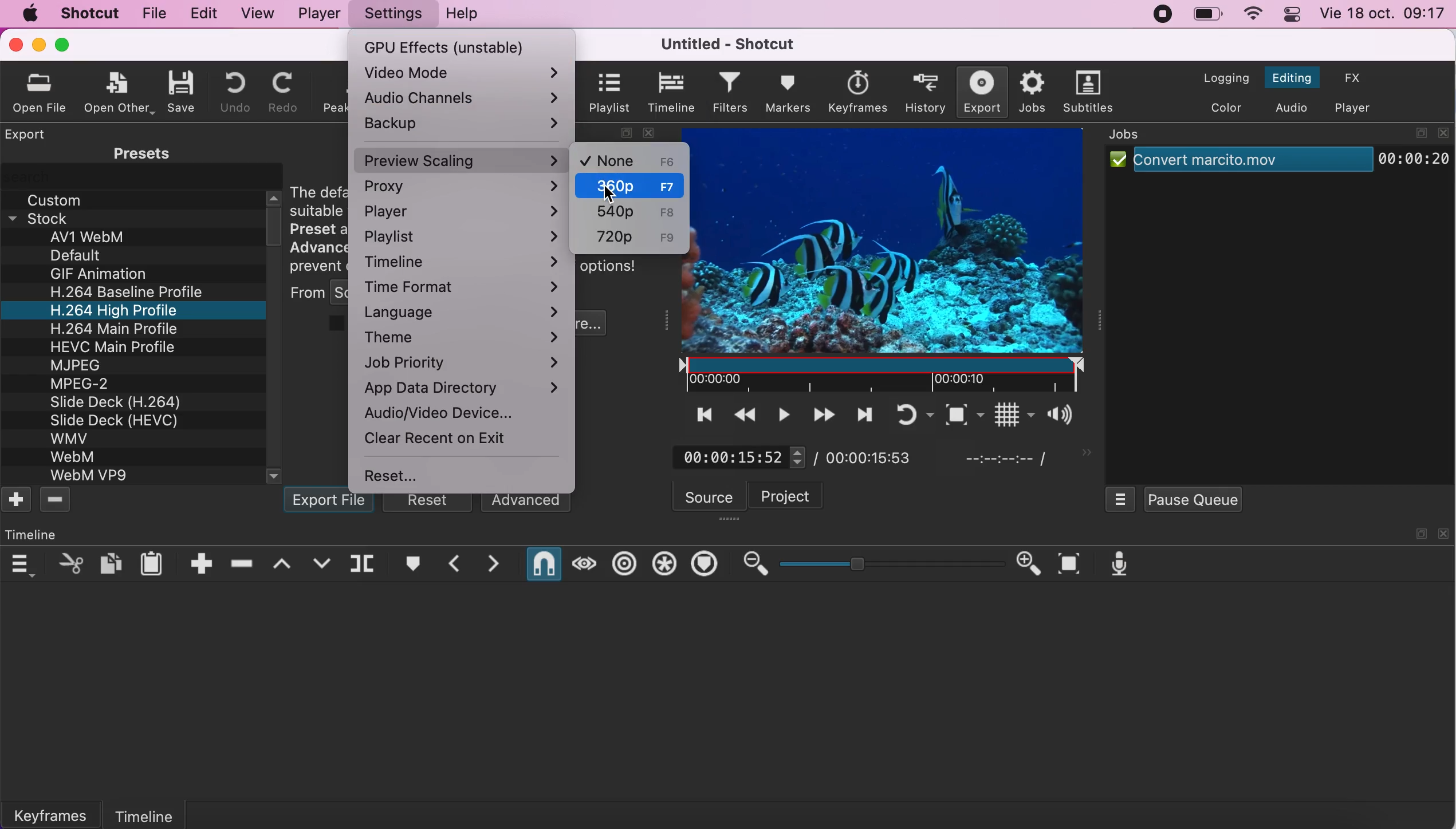 This screenshot has height=829, width=1456. Describe the element at coordinates (116, 402) in the screenshot. I see `Slide Deck (H.264)` at that location.